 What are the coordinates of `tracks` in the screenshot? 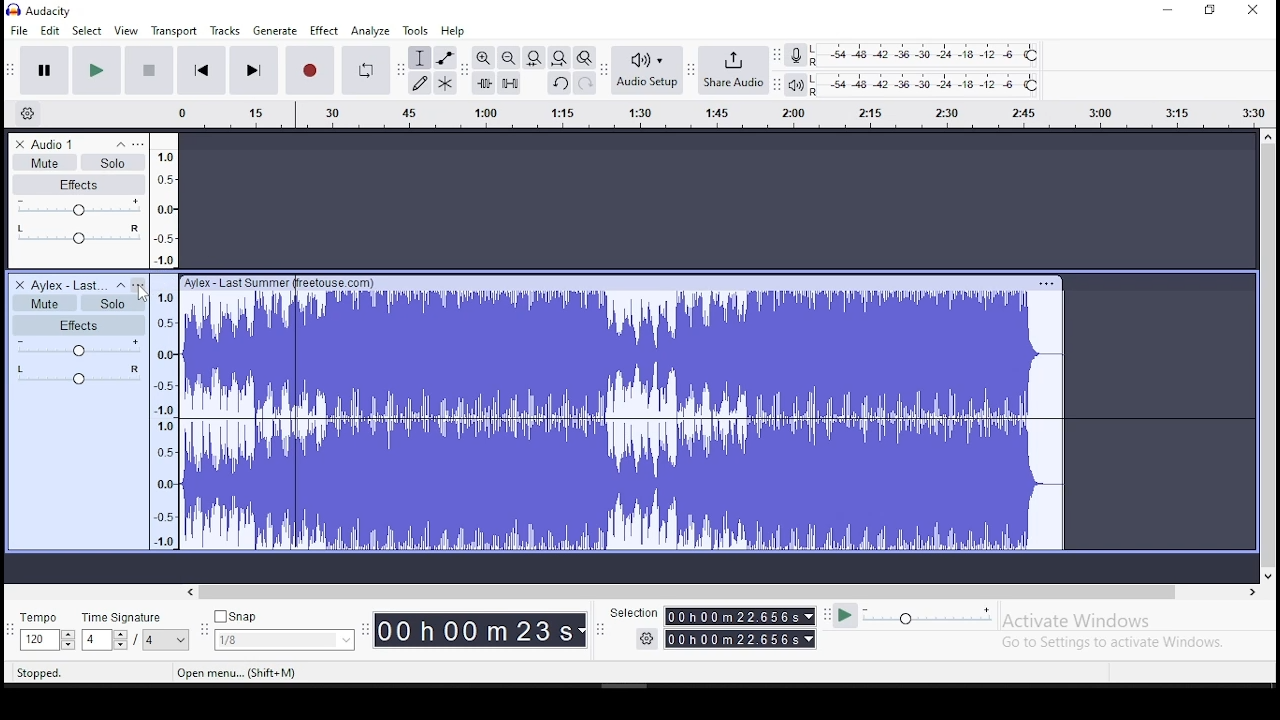 It's located at (225, 30).